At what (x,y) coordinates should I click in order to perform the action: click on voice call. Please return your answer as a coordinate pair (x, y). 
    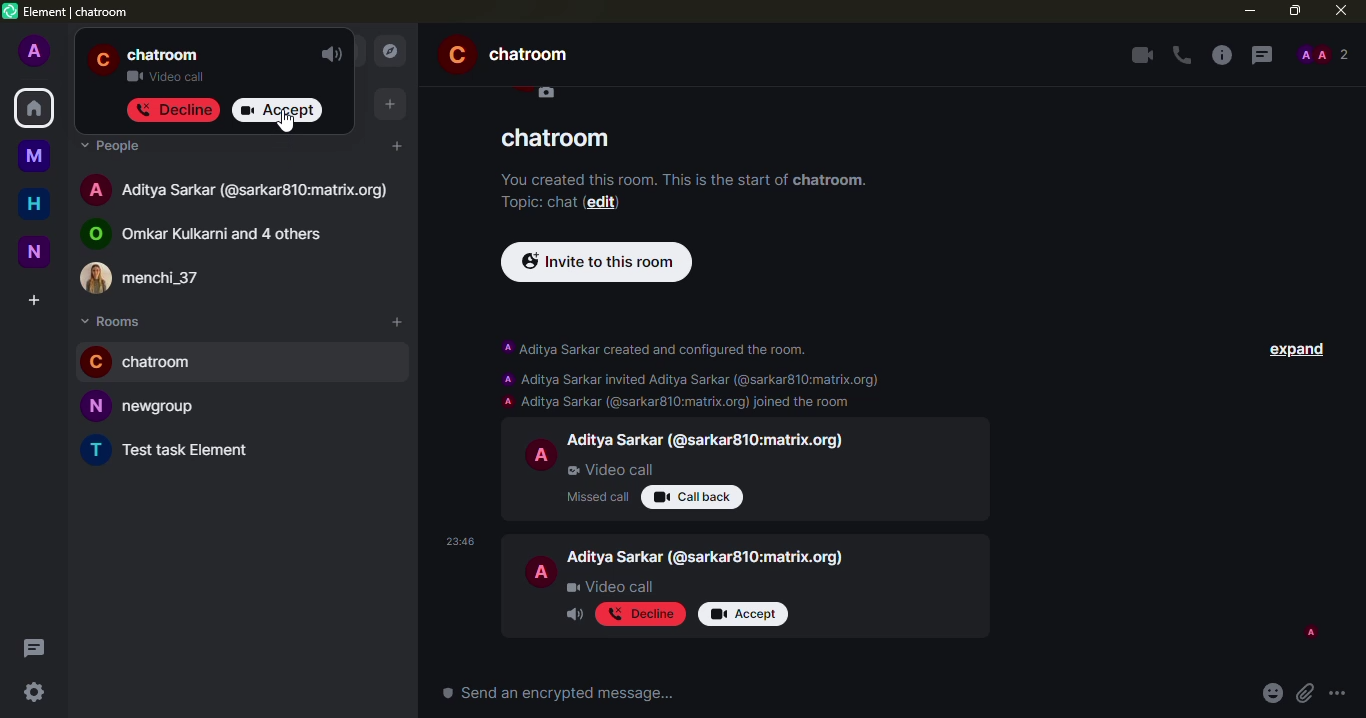
    Looking at the image, I should click on (1180, 56).